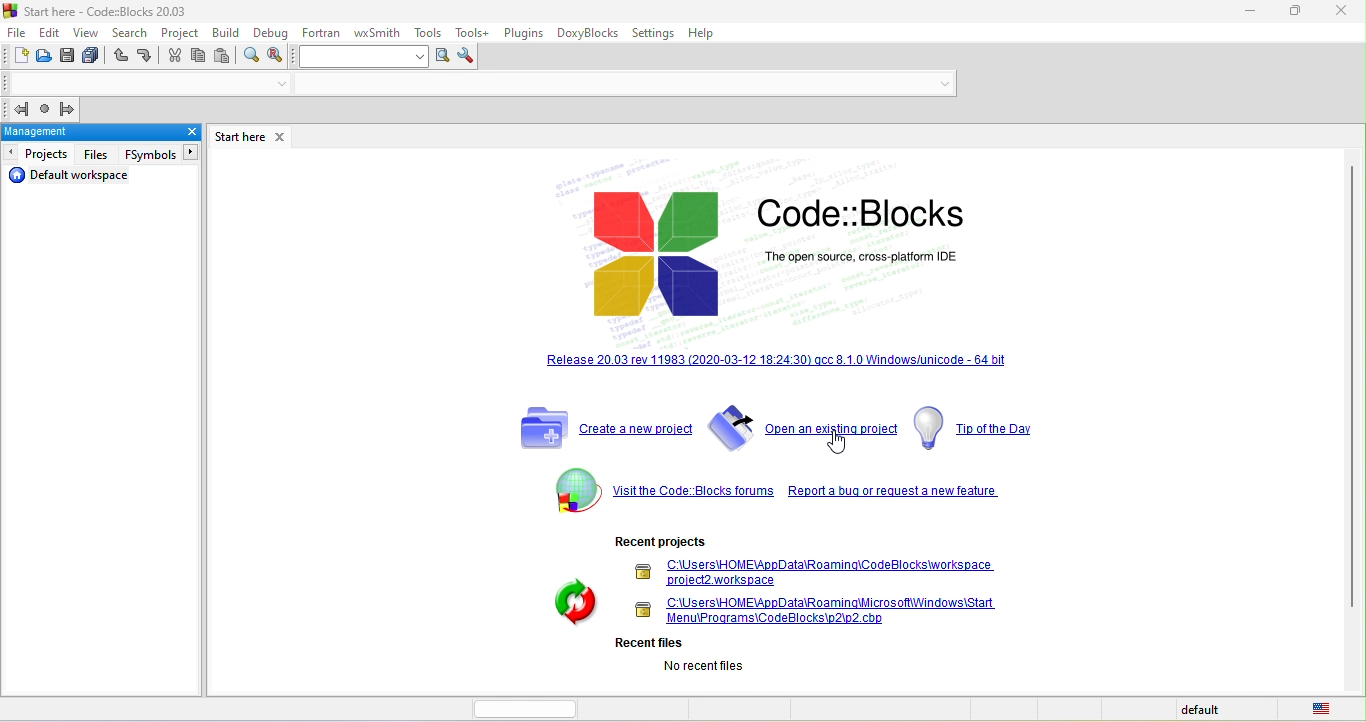 The height and width of the screenshot is (722, 1366). What do you see at coordinates (321, 34) in the screenshot?
I see `fortran` at bounding box center [321, 34].